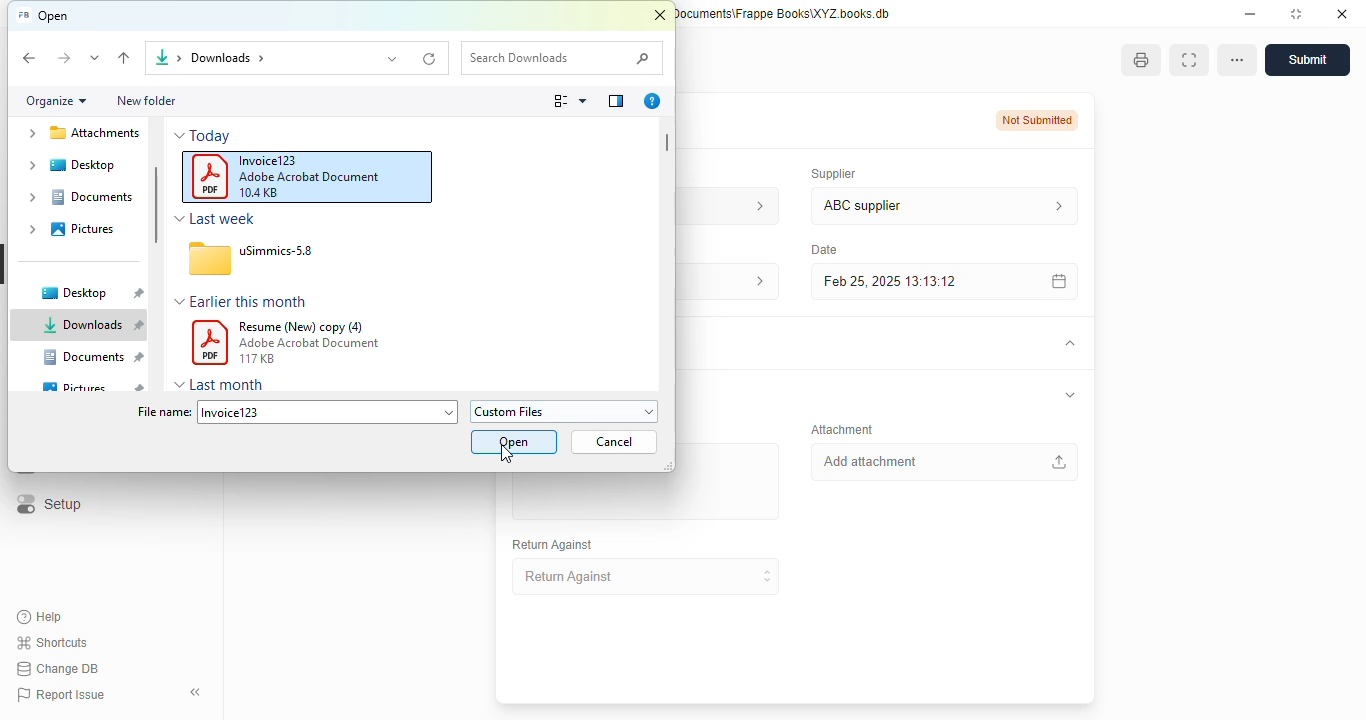 This screenshot has width=1366, height=720. Describe the element at coordinates (47, 505) in the screenshot. I see `setup` at that location.